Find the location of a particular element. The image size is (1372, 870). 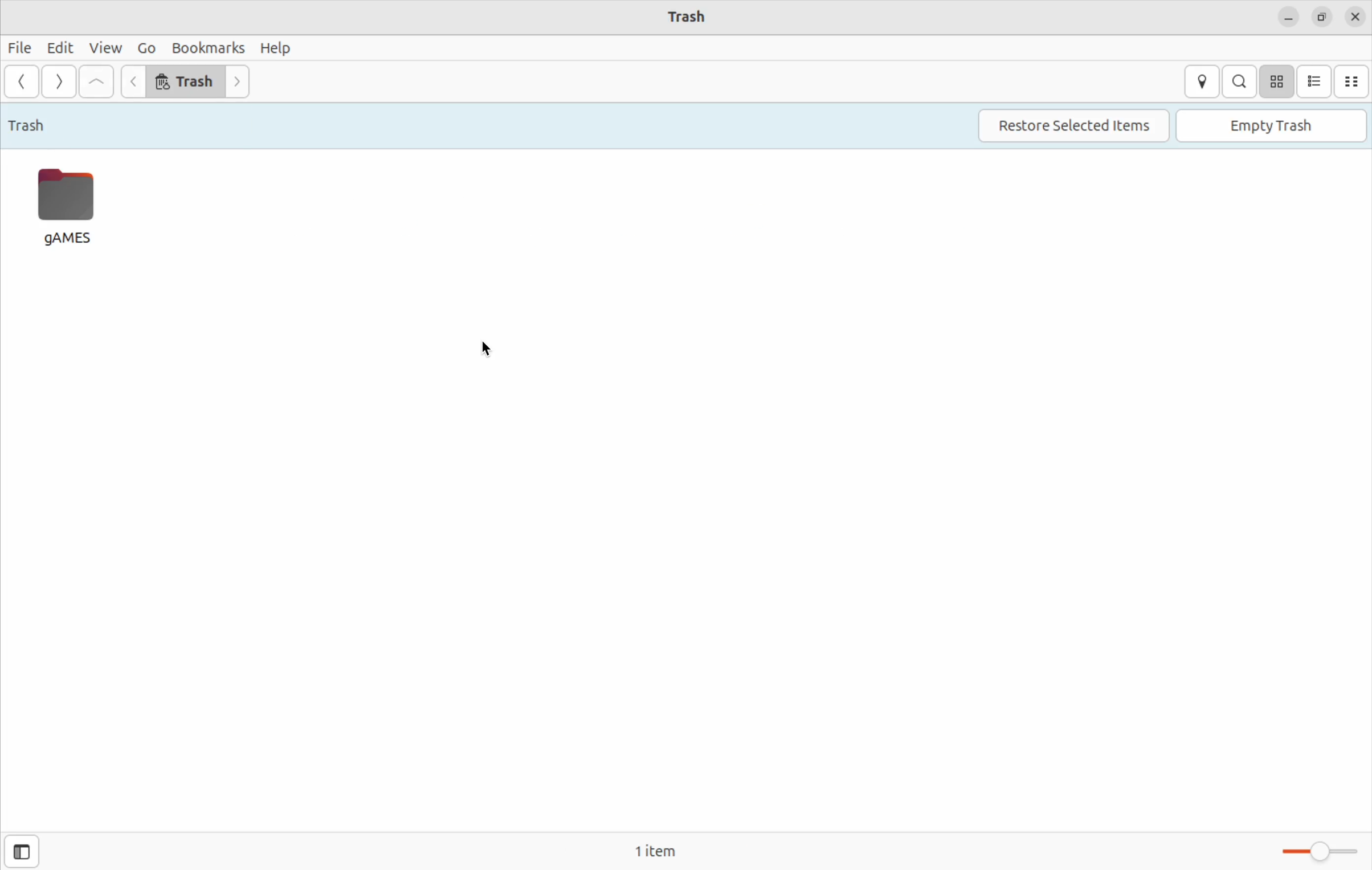

resize is located at coordinates (1322, 15).